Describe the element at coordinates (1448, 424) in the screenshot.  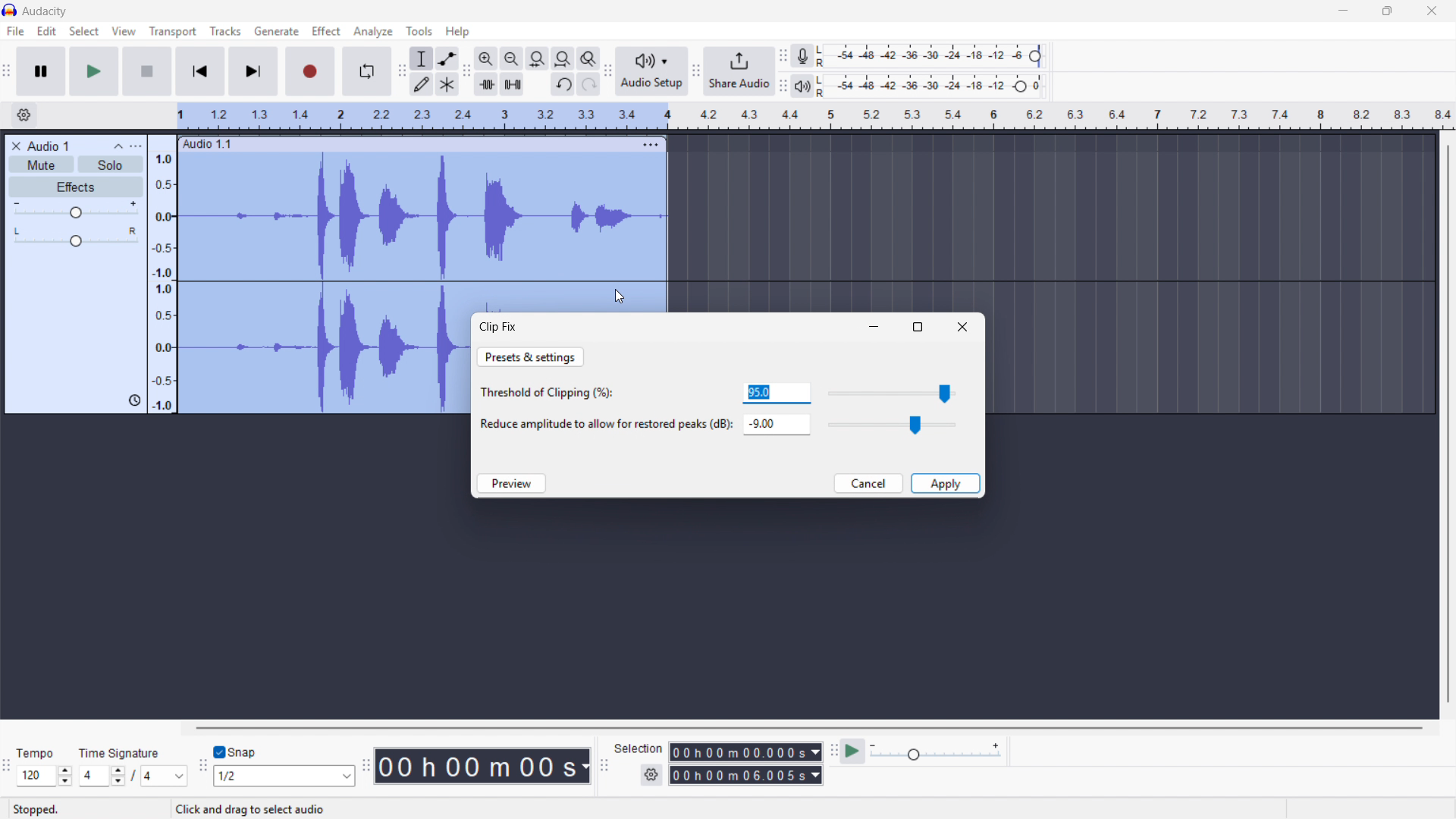
I see `Vertical scrollbar` at that location.